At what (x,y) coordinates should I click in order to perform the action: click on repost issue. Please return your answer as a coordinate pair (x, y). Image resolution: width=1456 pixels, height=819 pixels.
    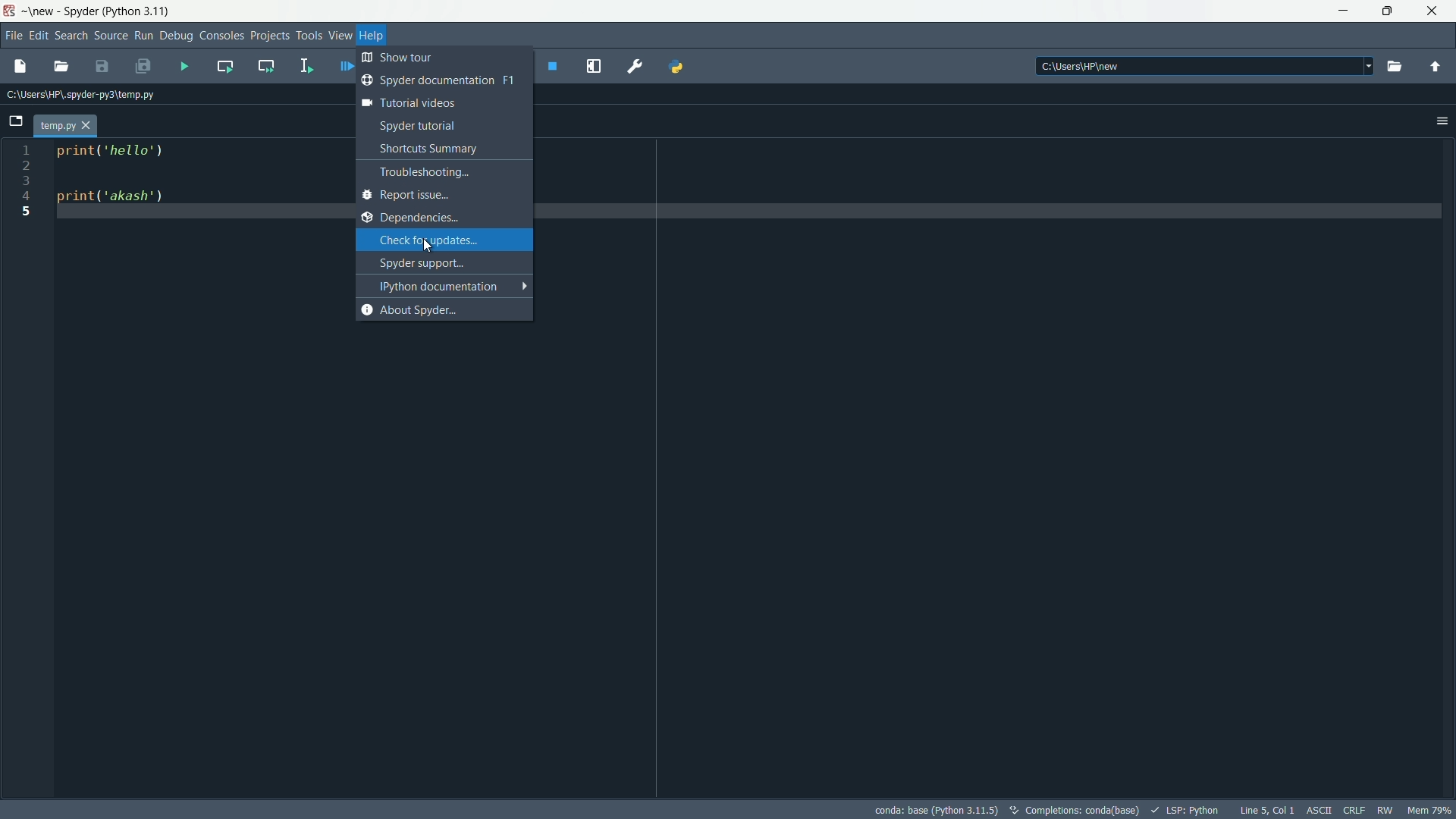
    Looking at the image, I should click on (438, 195).